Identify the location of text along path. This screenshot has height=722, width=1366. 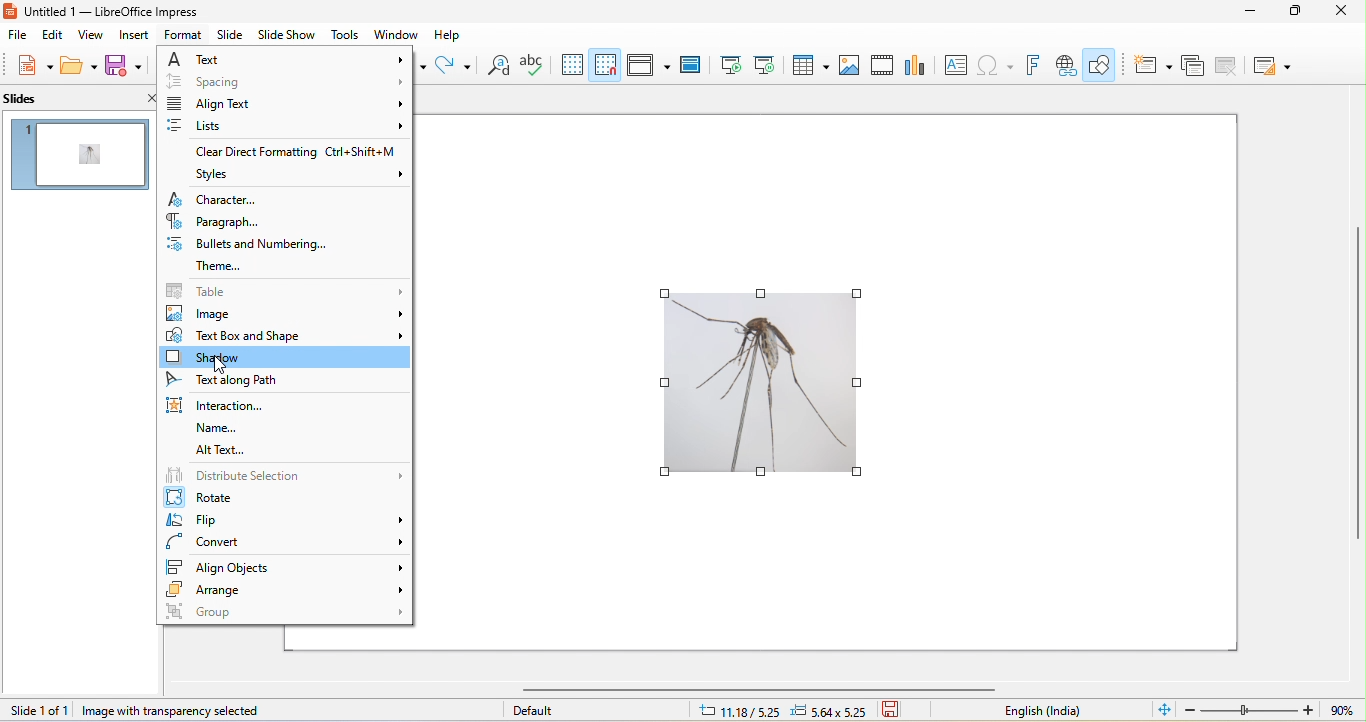
(242, 381).